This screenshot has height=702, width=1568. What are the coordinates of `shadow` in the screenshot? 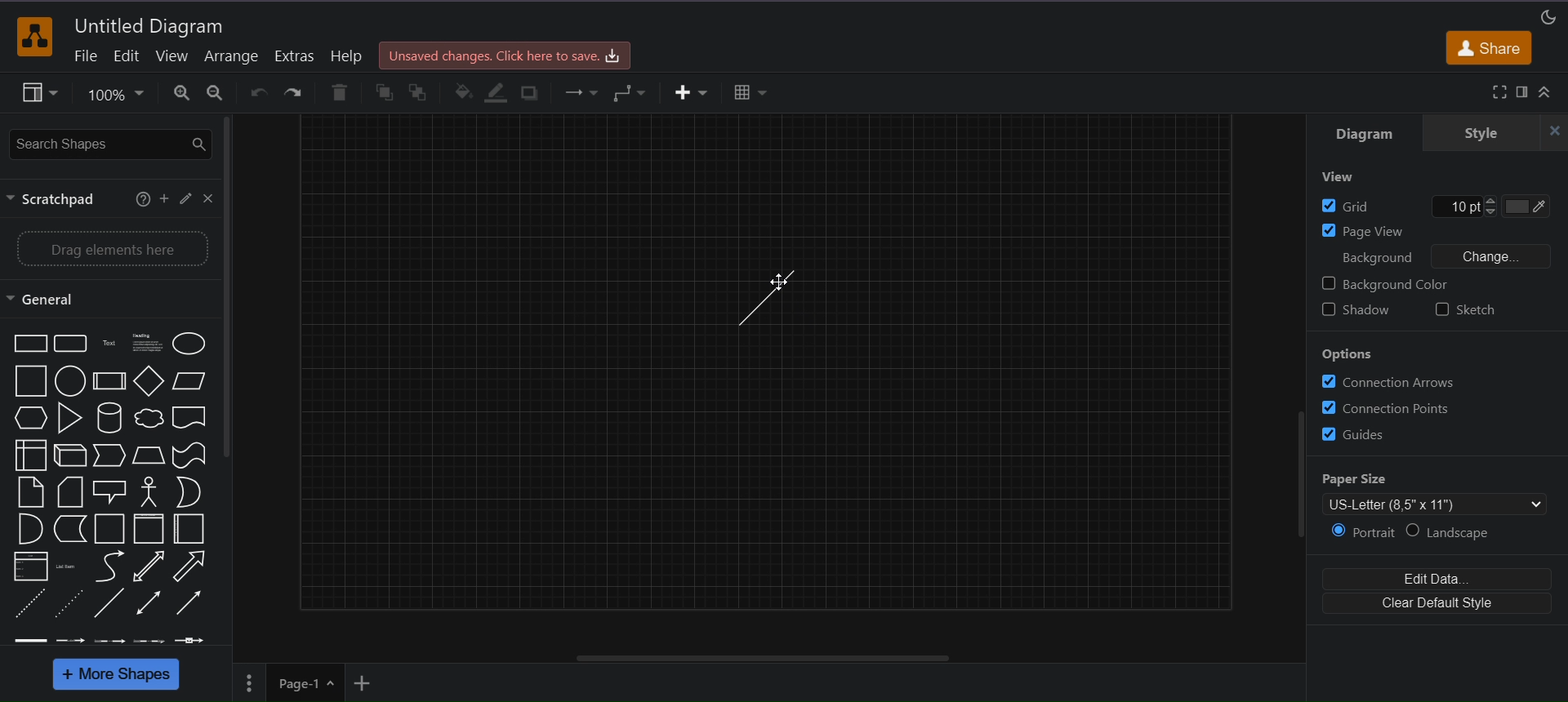 It's located at (1357, 307).